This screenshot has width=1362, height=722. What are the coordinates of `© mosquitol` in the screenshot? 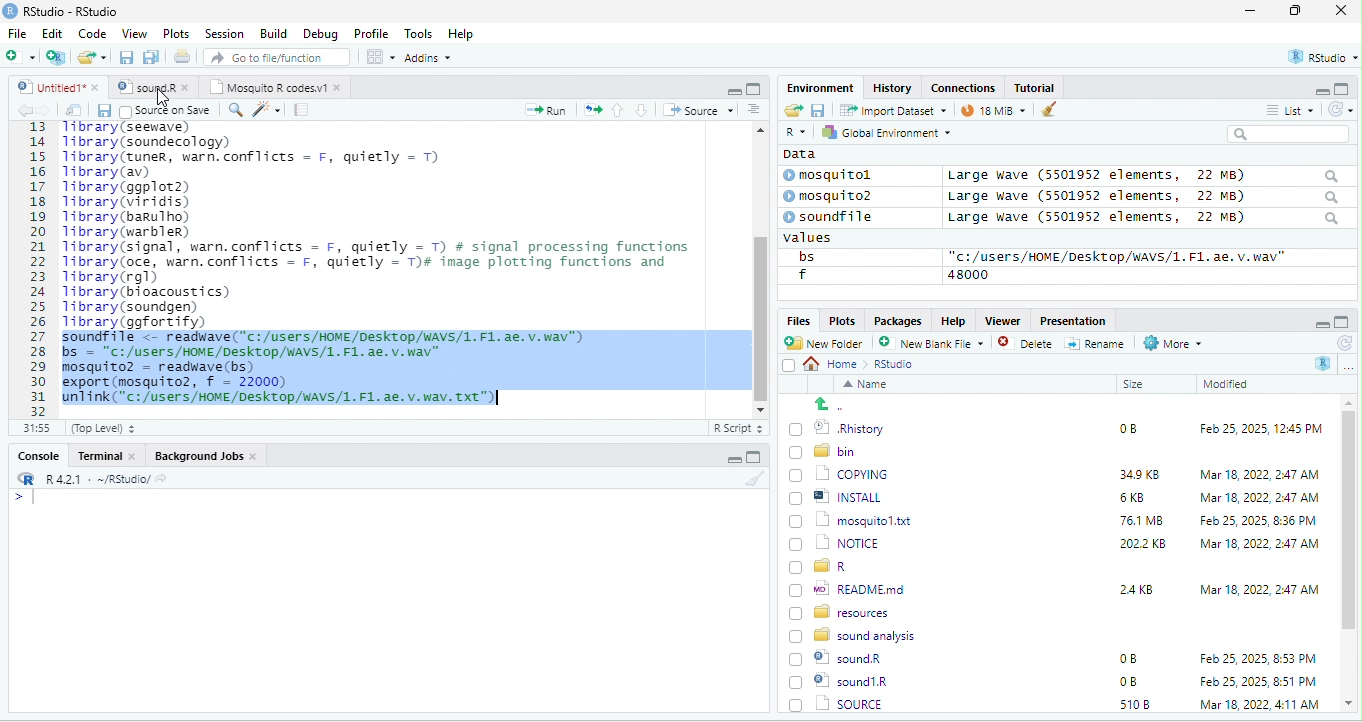 It's located at (842, 175).